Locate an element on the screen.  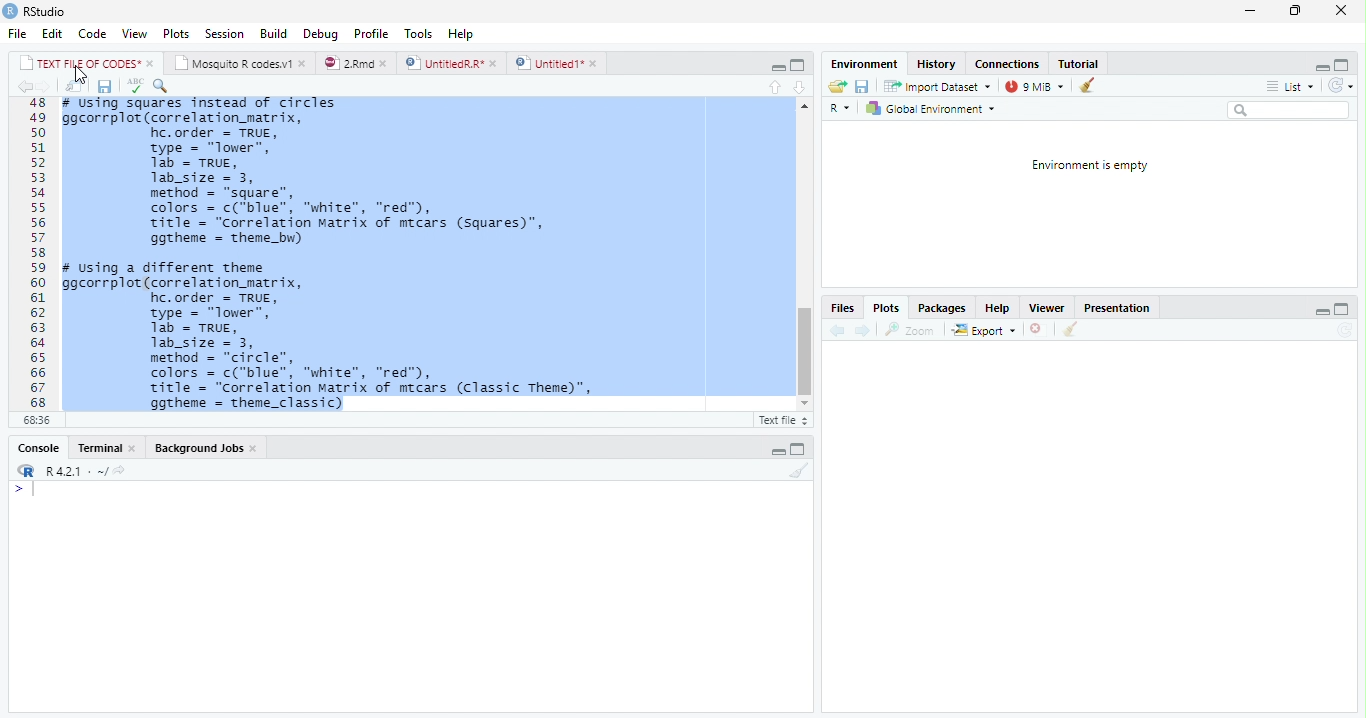
go back to the previous source location is located at coordinates (28, 88).